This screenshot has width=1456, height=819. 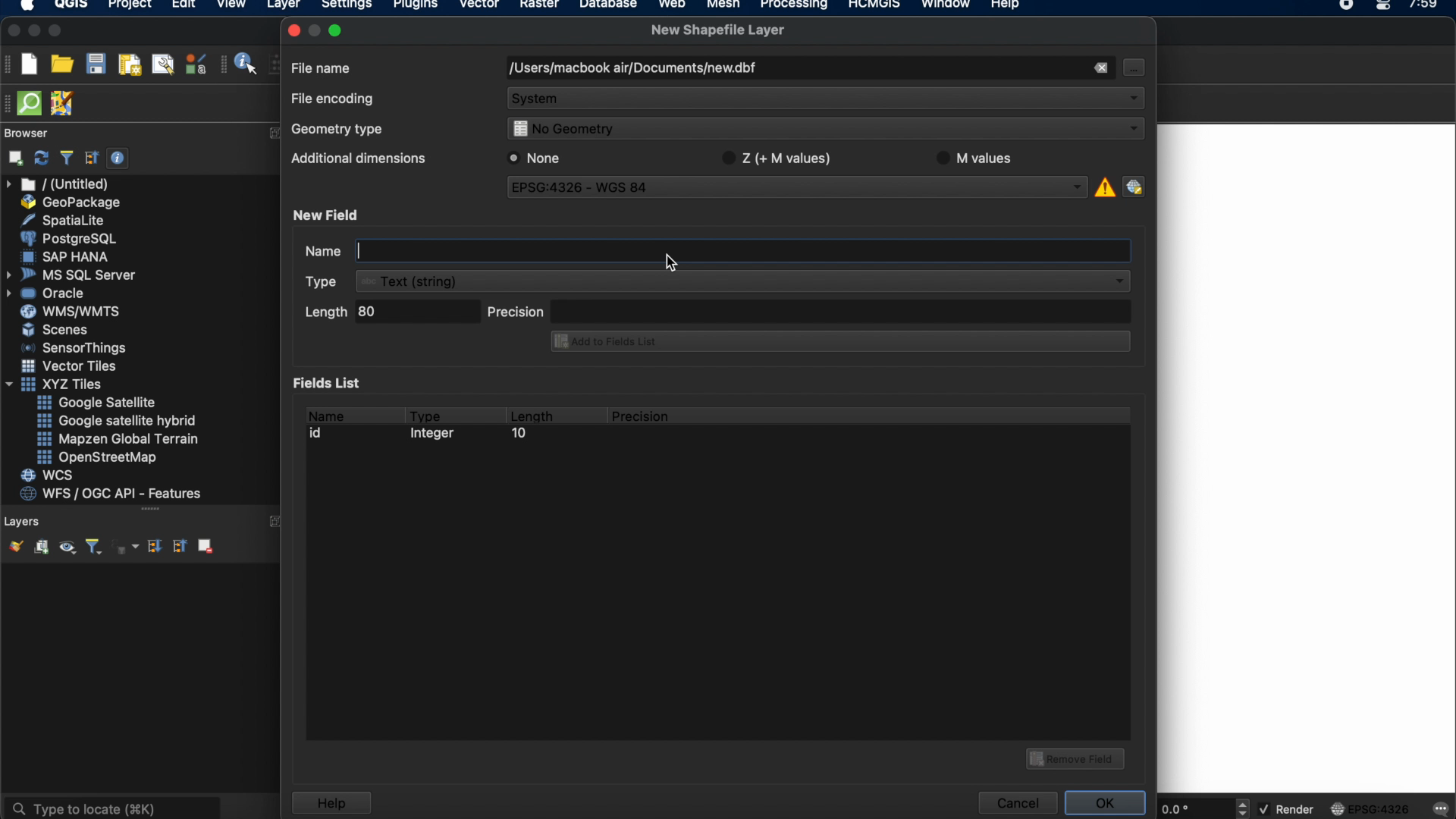 I want to click on QuickOSM, so click(x=33, y=103).